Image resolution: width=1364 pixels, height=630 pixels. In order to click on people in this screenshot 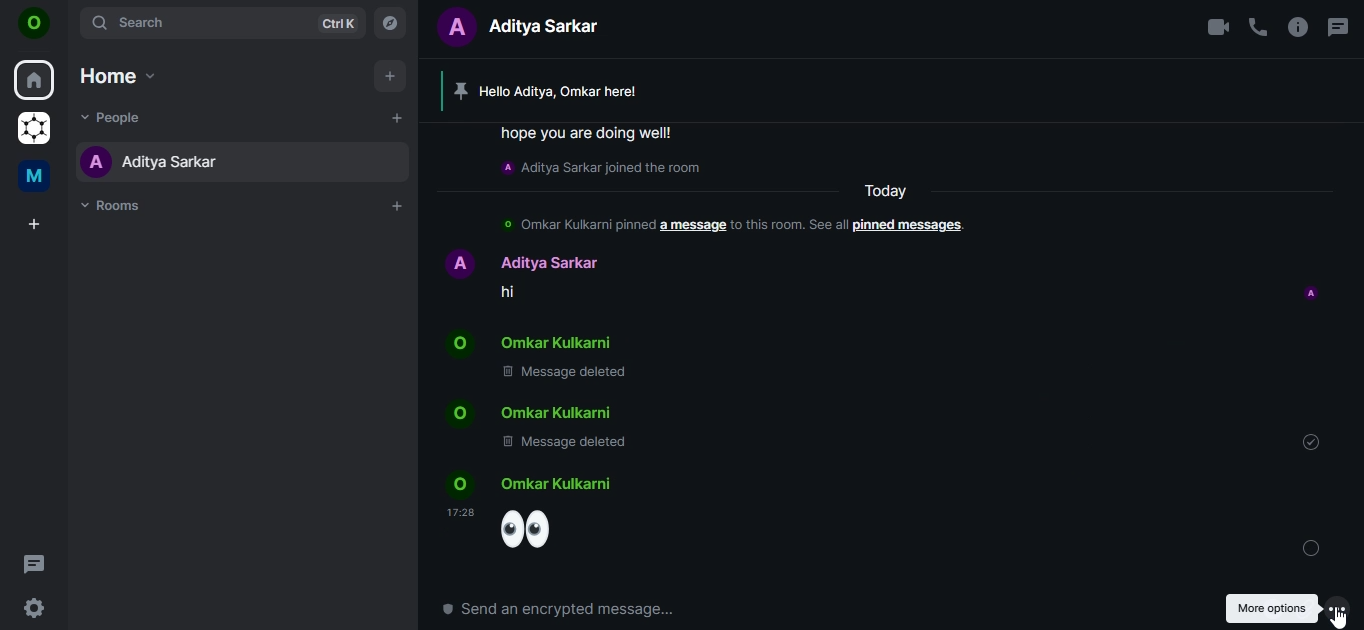, I will do `click(109, 116)`.